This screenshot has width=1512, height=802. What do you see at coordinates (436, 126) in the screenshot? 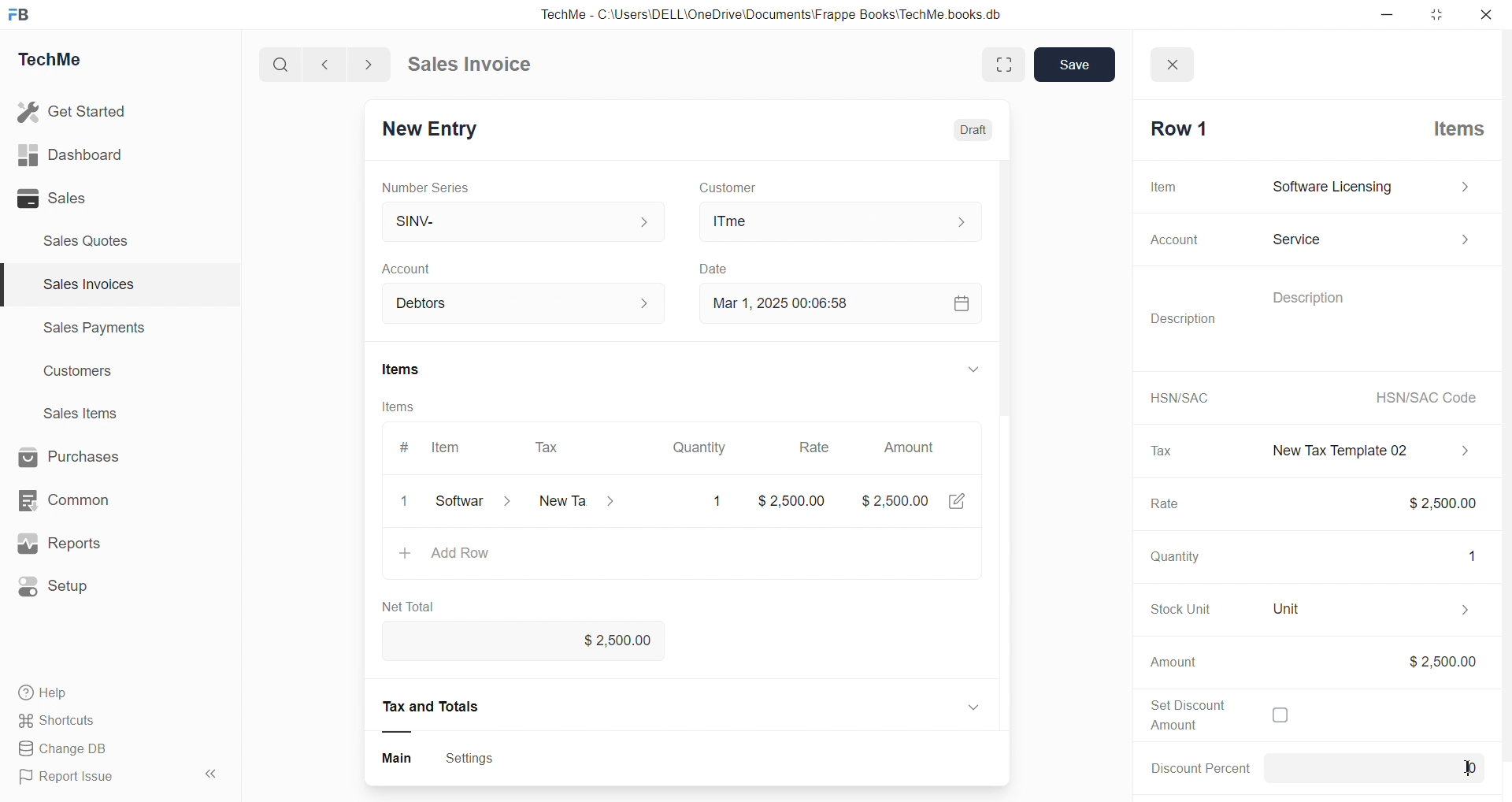
I see `New Entry` at bounding box center [436, 126].